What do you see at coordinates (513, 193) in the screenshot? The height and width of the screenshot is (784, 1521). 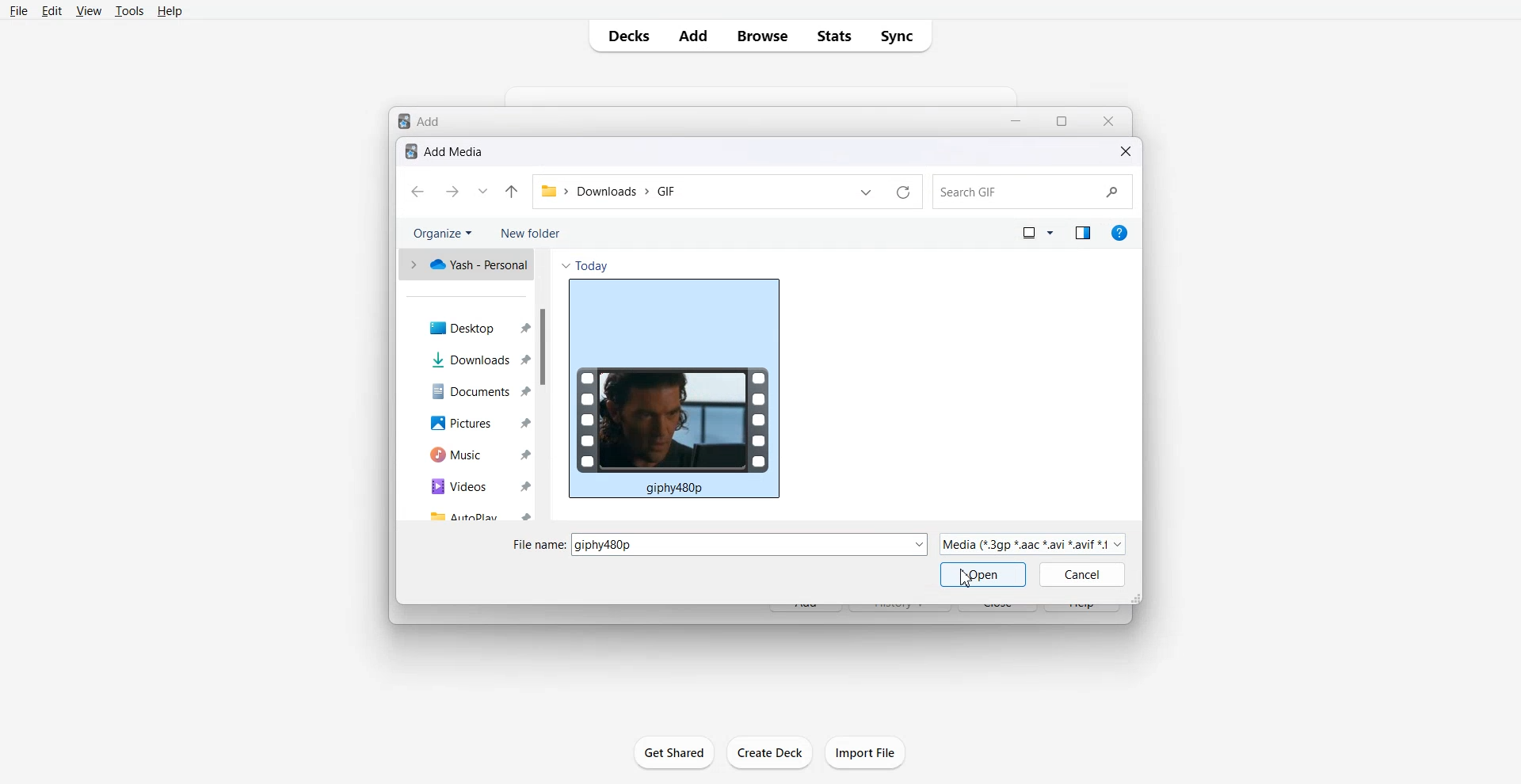 I see `Up to ` at bounding box center [513, 193].